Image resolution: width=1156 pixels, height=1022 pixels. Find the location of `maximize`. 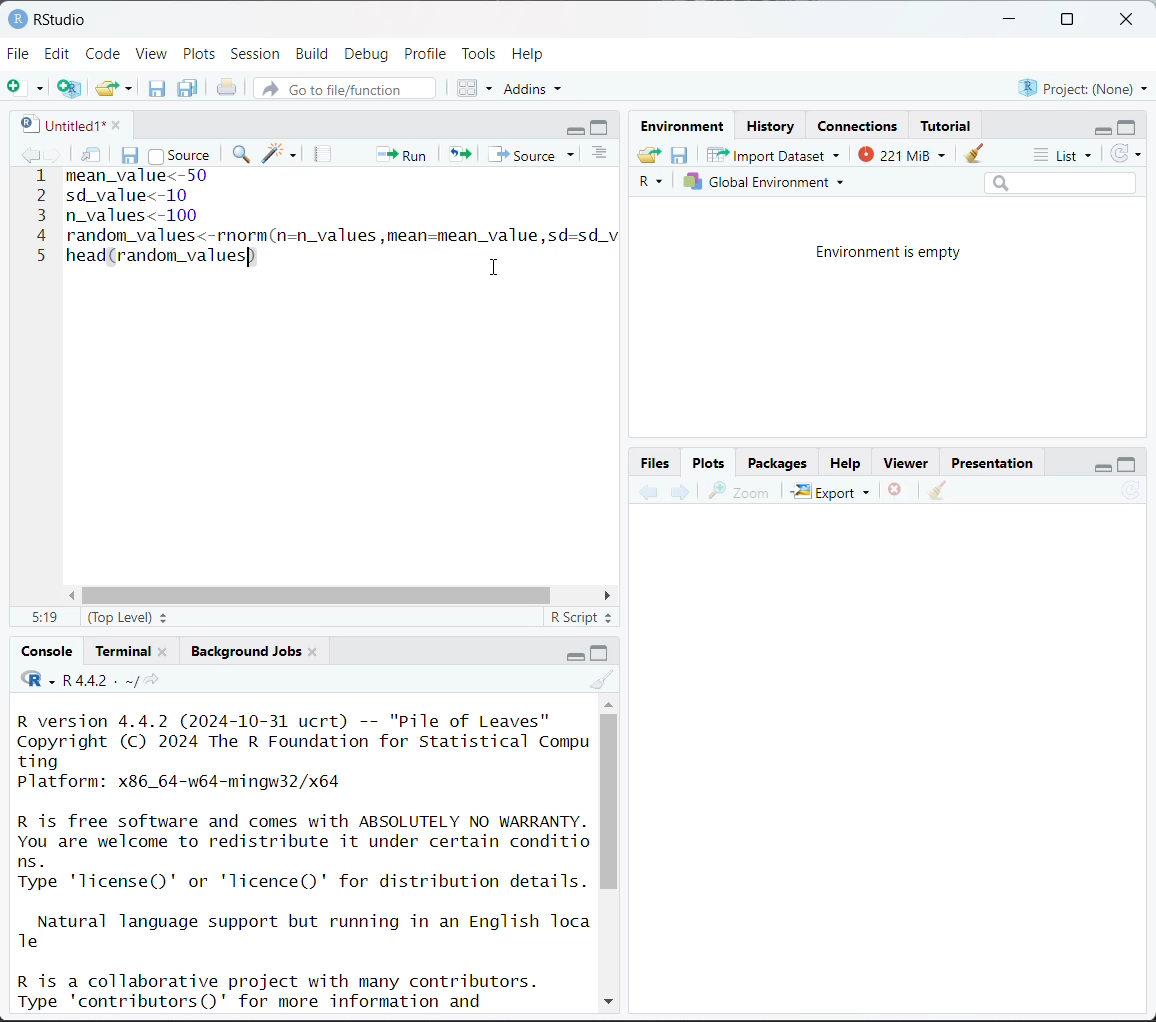

maximize is located at coordinates (1066, 20).